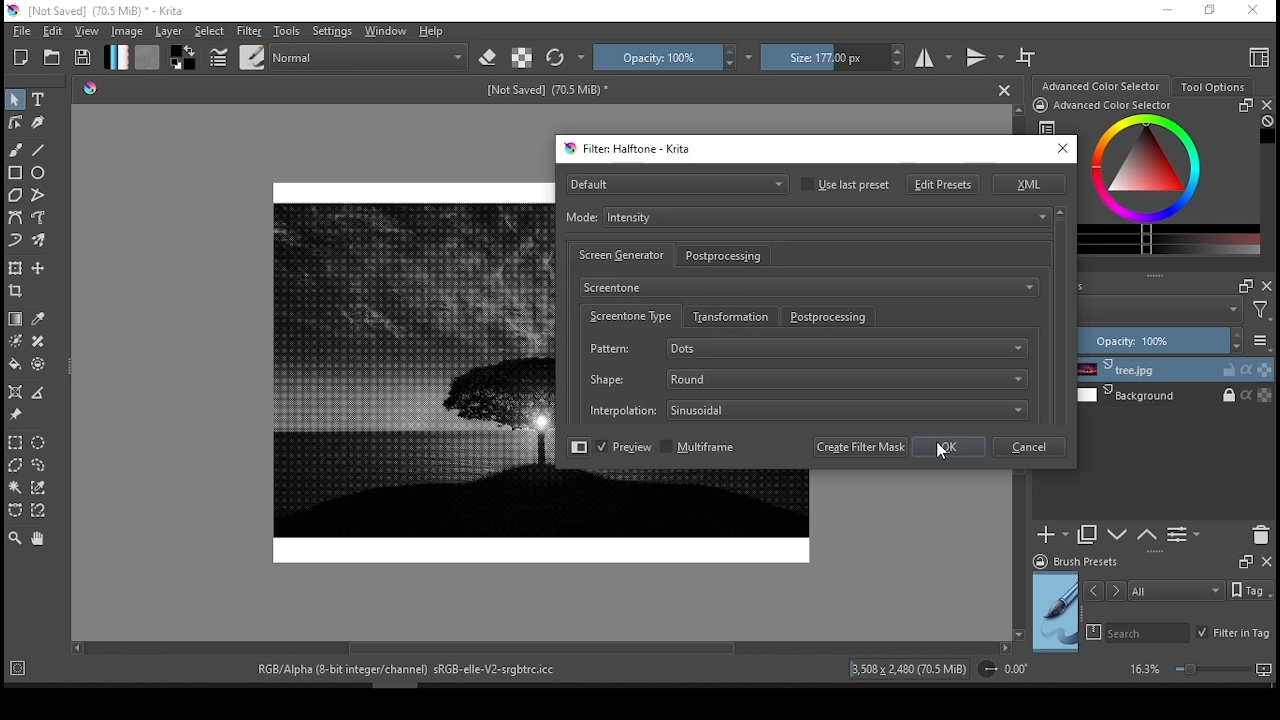 The height and width of the screenshot is (720, 1280). I want to click on dynamic brush tool, so click(16, 241).